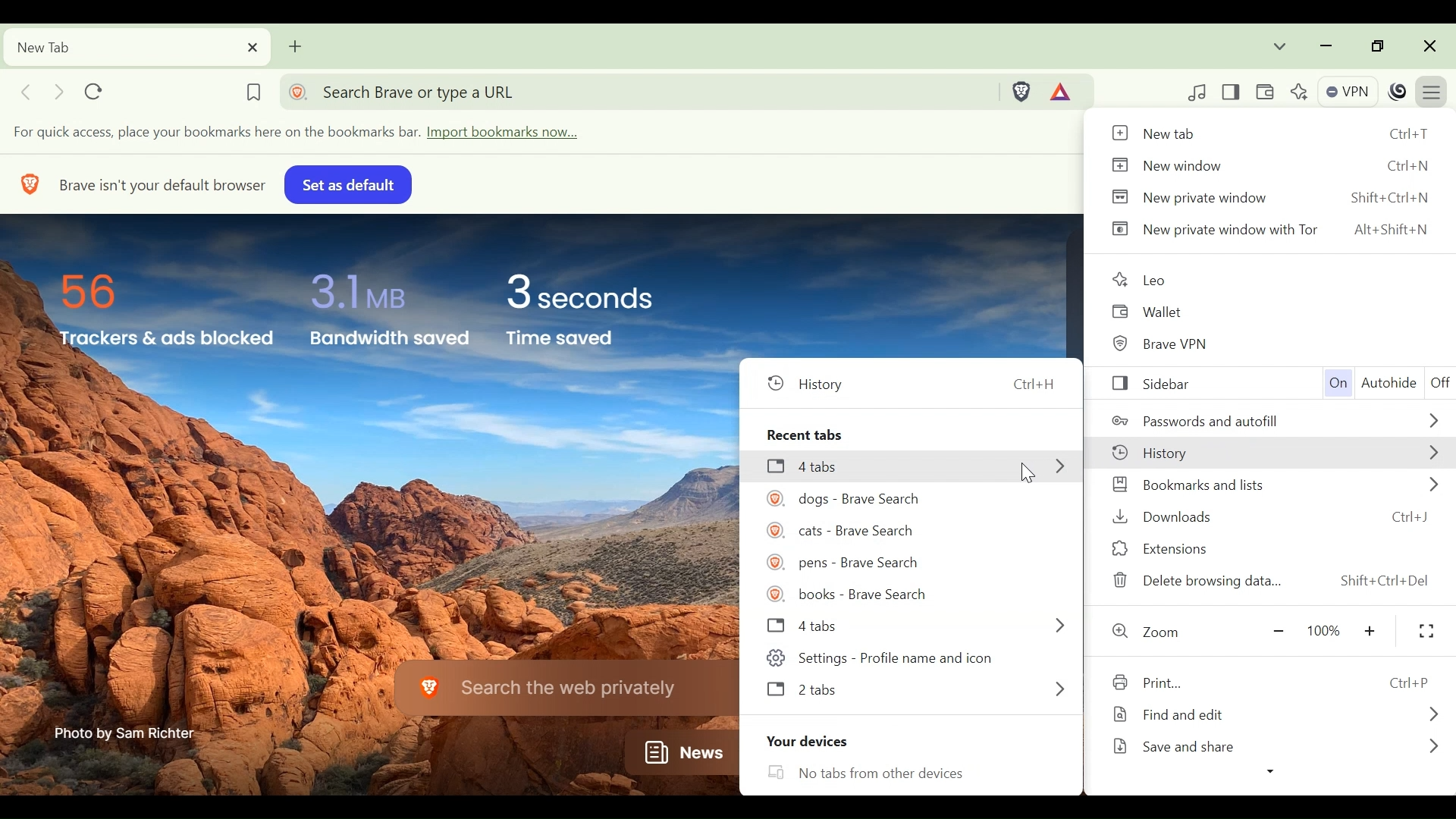  What do you see at coordinates (1172, 342) in the screenshot?
I see `Brave VPN` at bounding box center [1172, 342].